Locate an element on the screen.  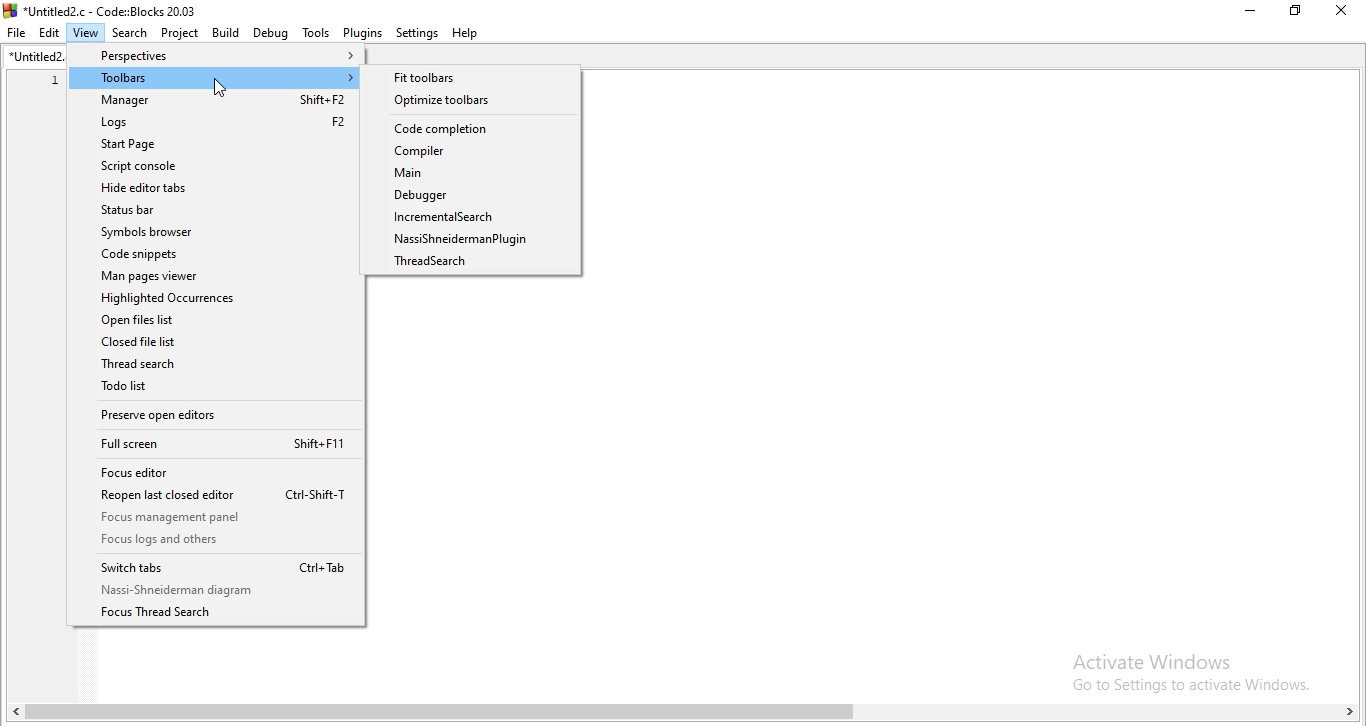
Todo list is located at coordinates (211, 389).